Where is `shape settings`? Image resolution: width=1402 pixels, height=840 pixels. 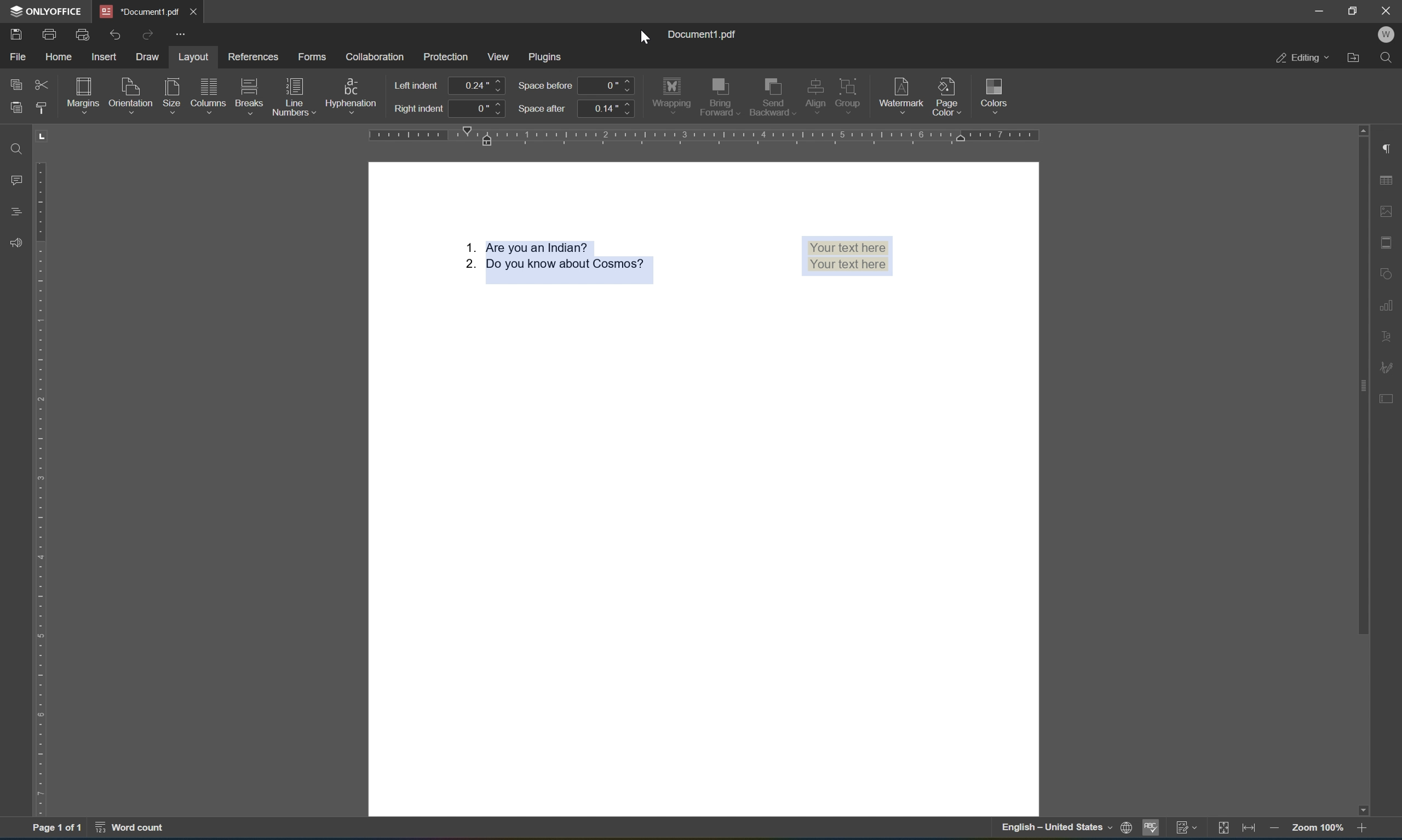 shape settings is located at coordinates (1391, 269).